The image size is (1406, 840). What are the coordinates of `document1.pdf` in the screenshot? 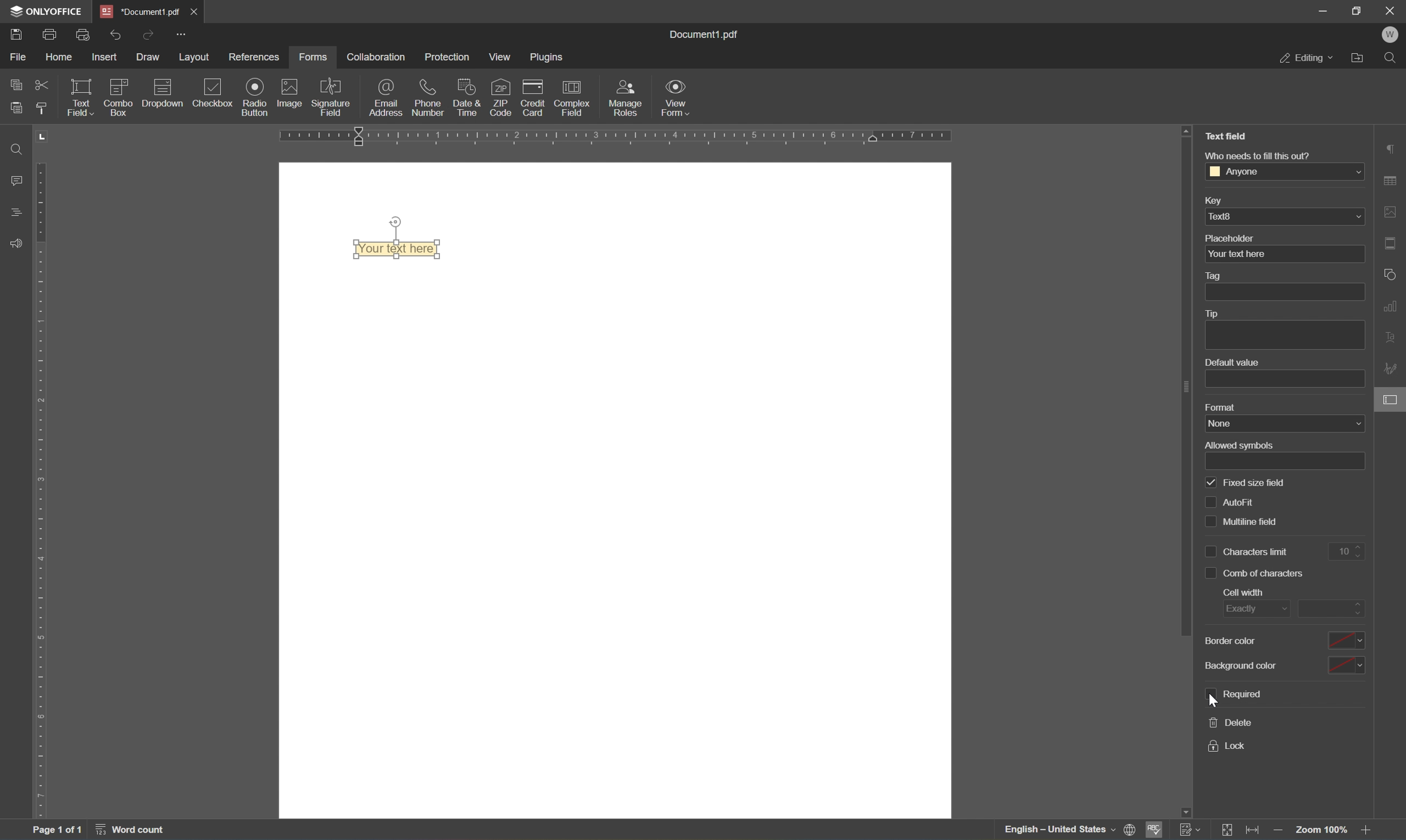 It's located at (702, 35).